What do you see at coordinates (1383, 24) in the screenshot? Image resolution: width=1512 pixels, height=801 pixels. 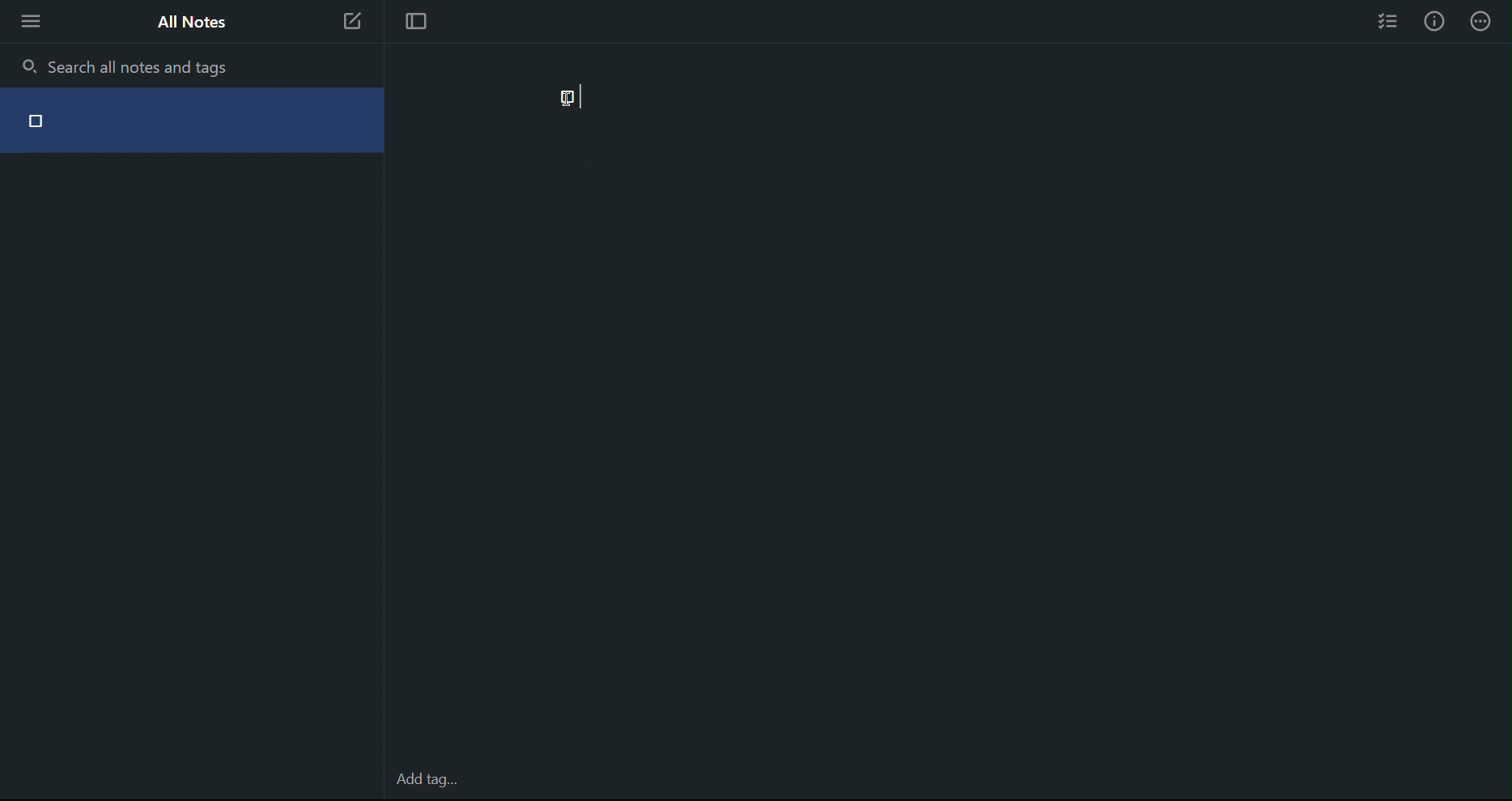 I see `Checklist` at bounding box center [1383, 24].